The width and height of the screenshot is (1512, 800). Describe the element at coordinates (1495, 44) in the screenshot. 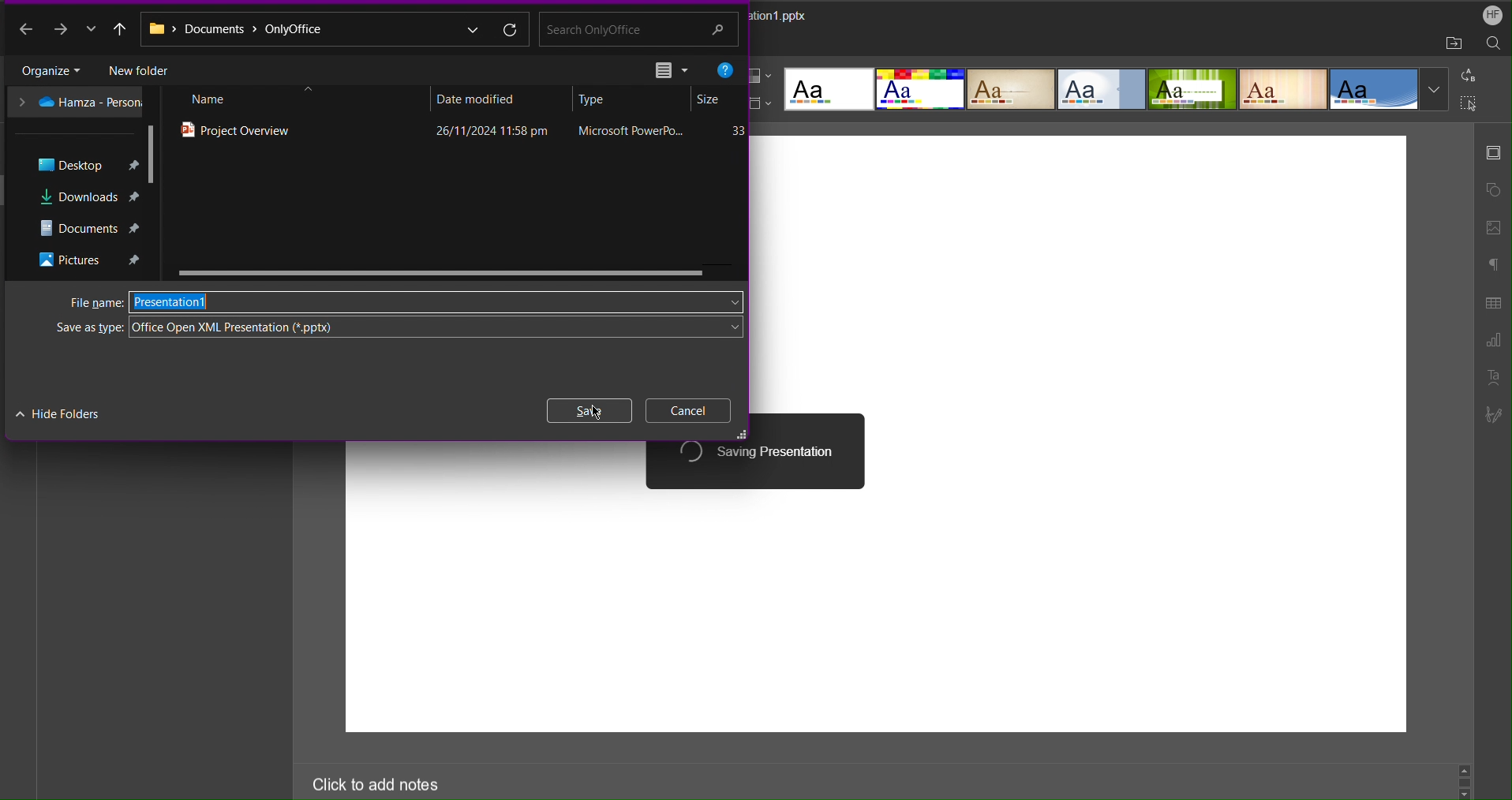

I see `Search` at that location.